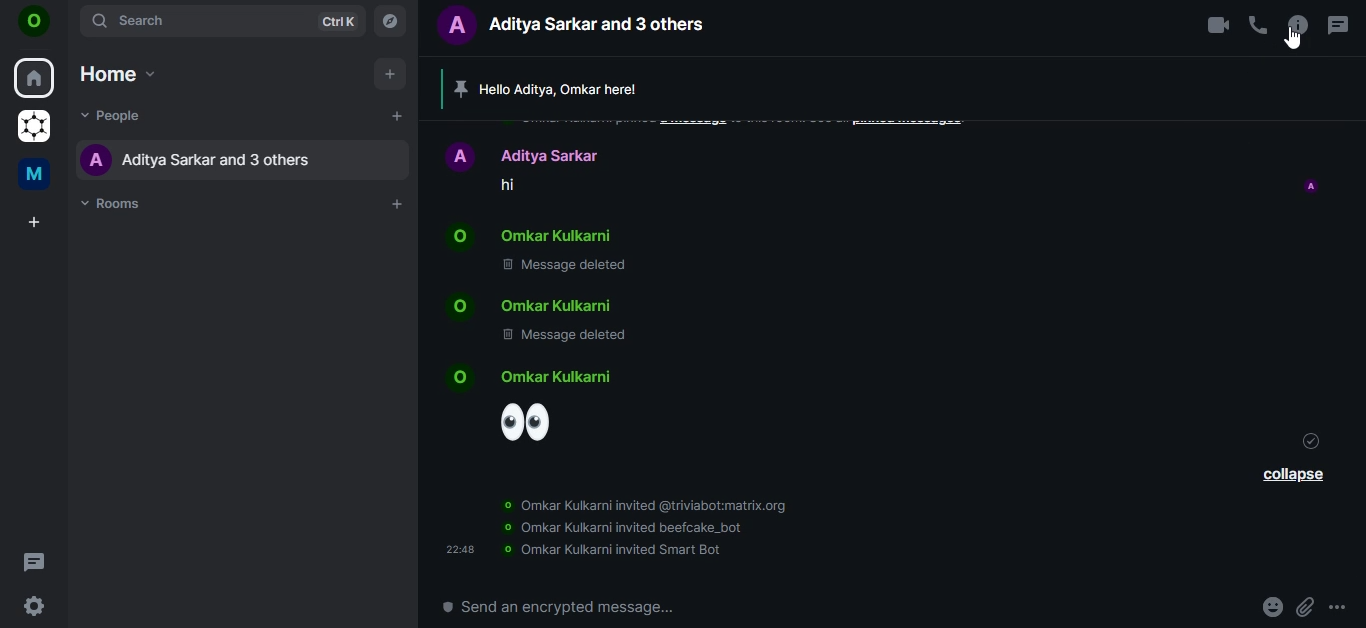  I want to click on voice call, so click(1257, 25).